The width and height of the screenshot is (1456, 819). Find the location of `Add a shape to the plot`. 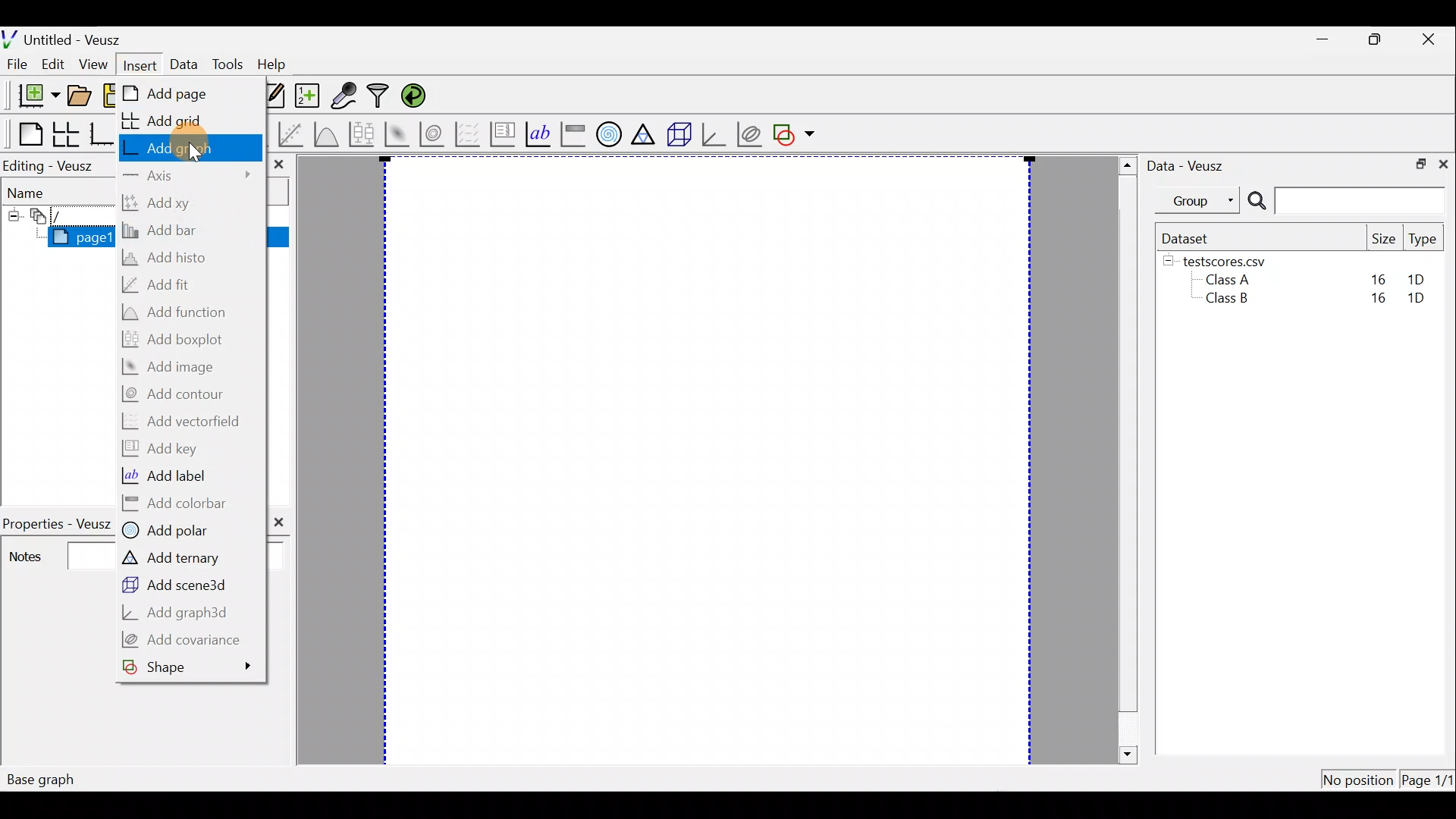

Add a shape to the plot is located at coordinates (797, 134).